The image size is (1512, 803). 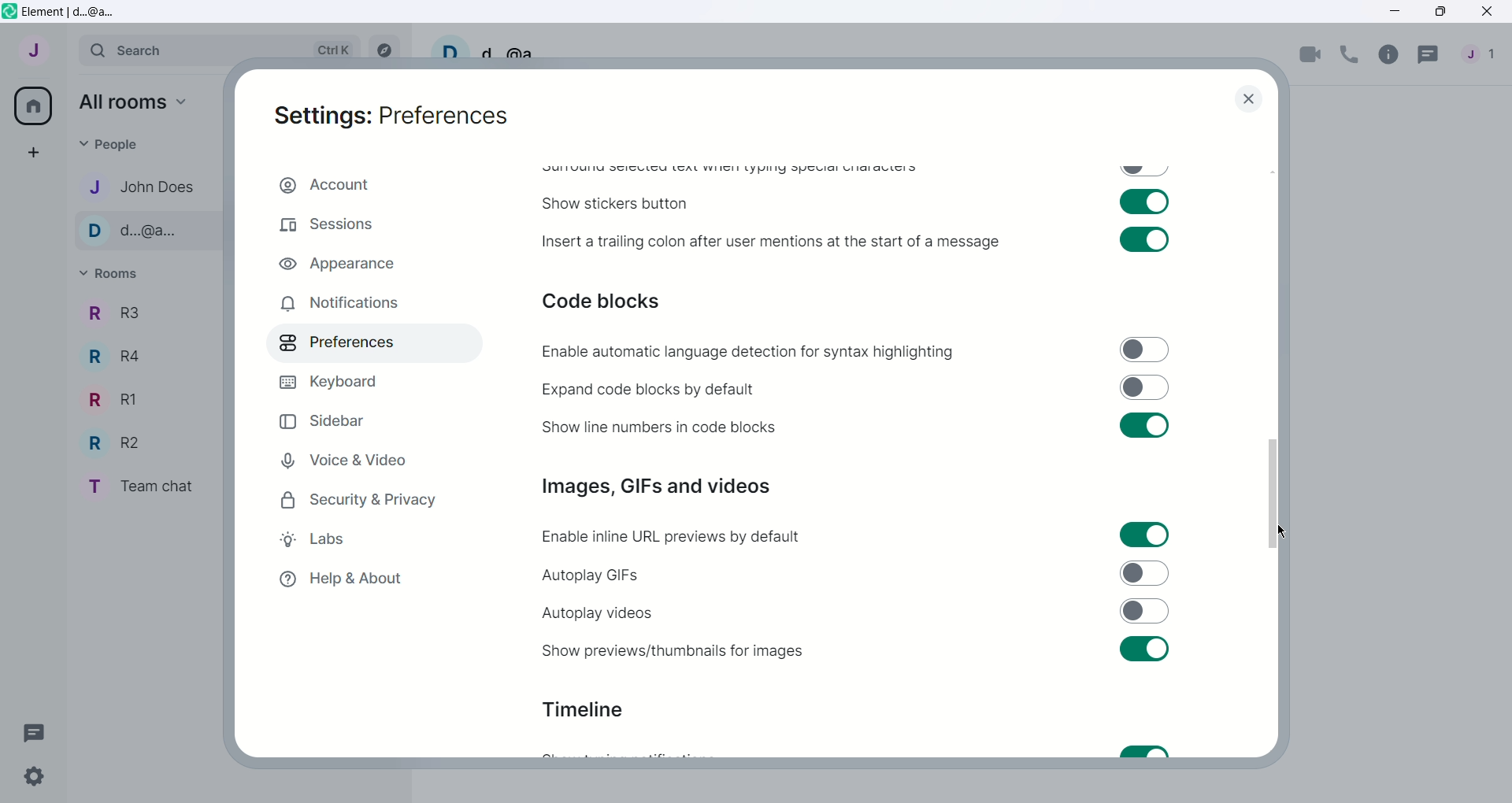 What do you see at coordinates (1143, 425) in the screenshot?
I see `Toggle swtich on for show line numbers in code blocks` at bounding box center [1143, 425].